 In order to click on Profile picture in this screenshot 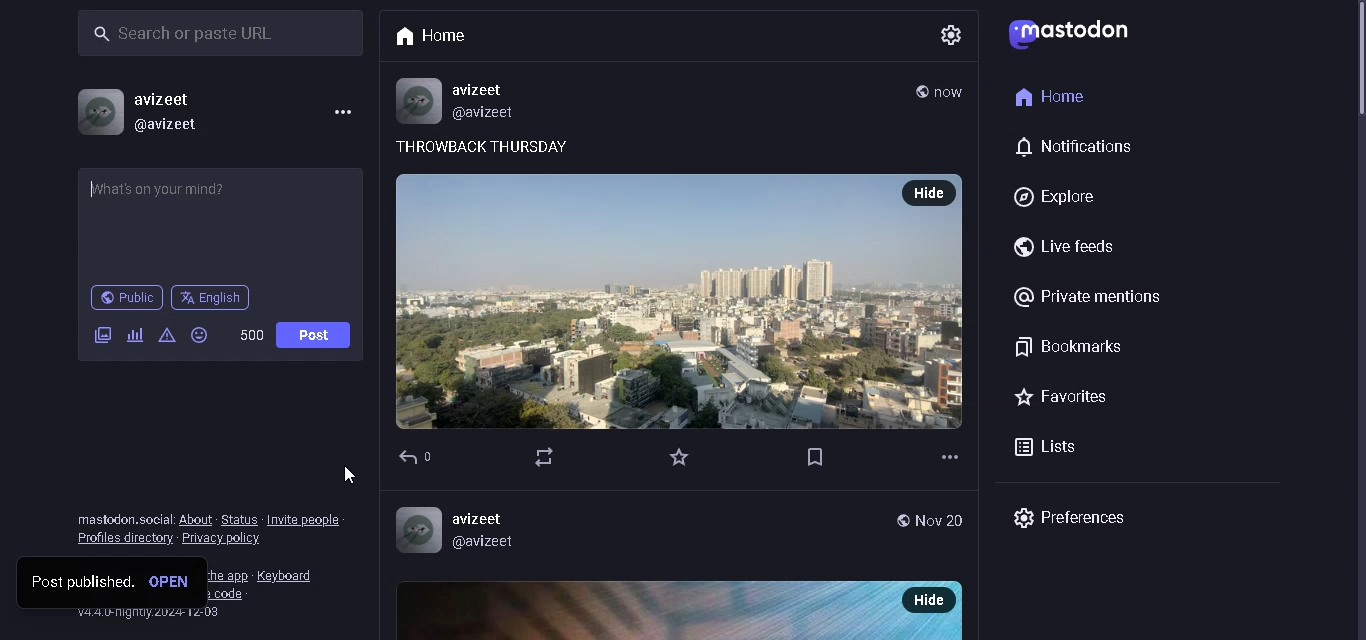, I will do `click(414, 529)`.